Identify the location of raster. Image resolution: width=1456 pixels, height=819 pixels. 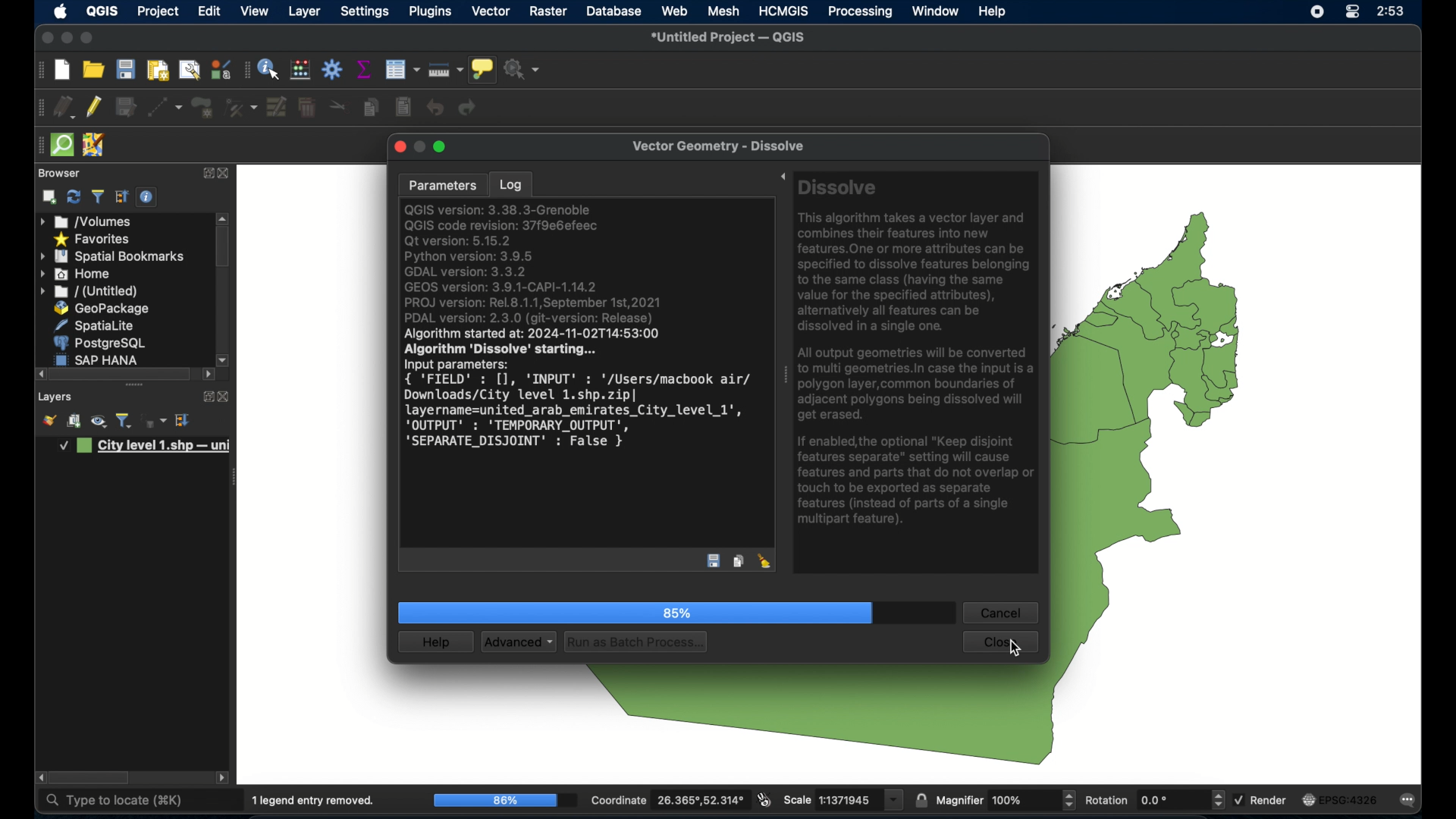
(548, 11).